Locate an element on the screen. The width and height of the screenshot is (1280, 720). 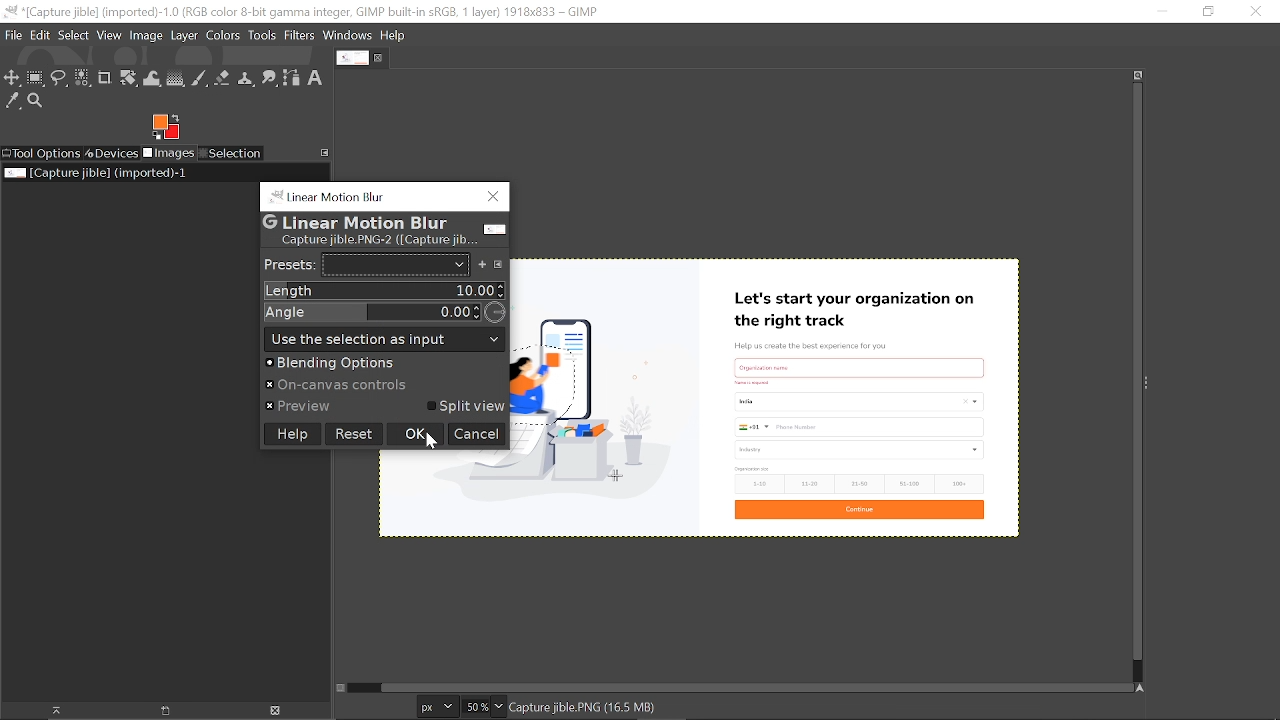
Path tool is located at coordinates (292, 78).